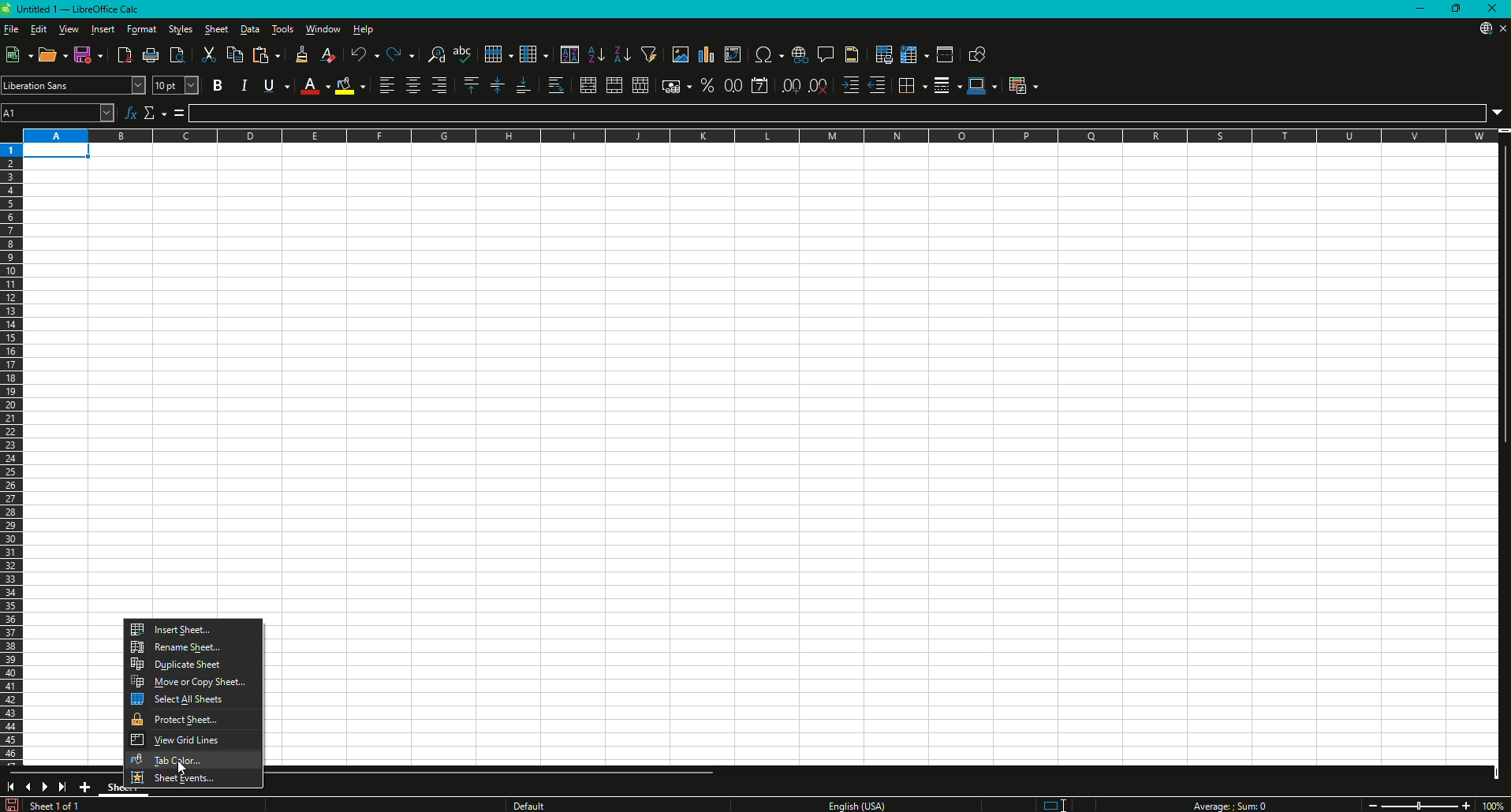 The width and height of the screenshot is (1511, 812). I want to click on Help, so click(364, 28).